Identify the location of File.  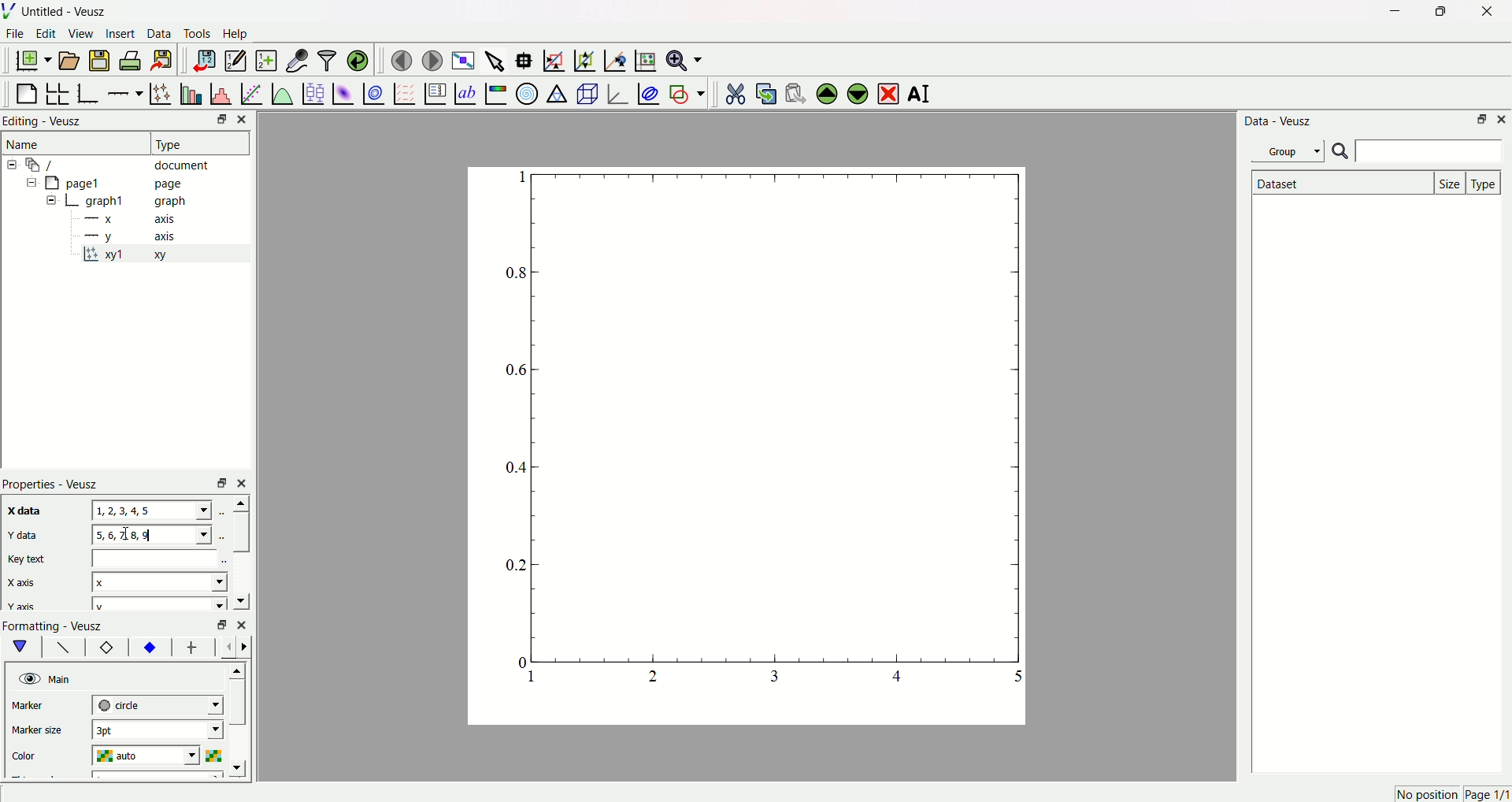
(17, 35).